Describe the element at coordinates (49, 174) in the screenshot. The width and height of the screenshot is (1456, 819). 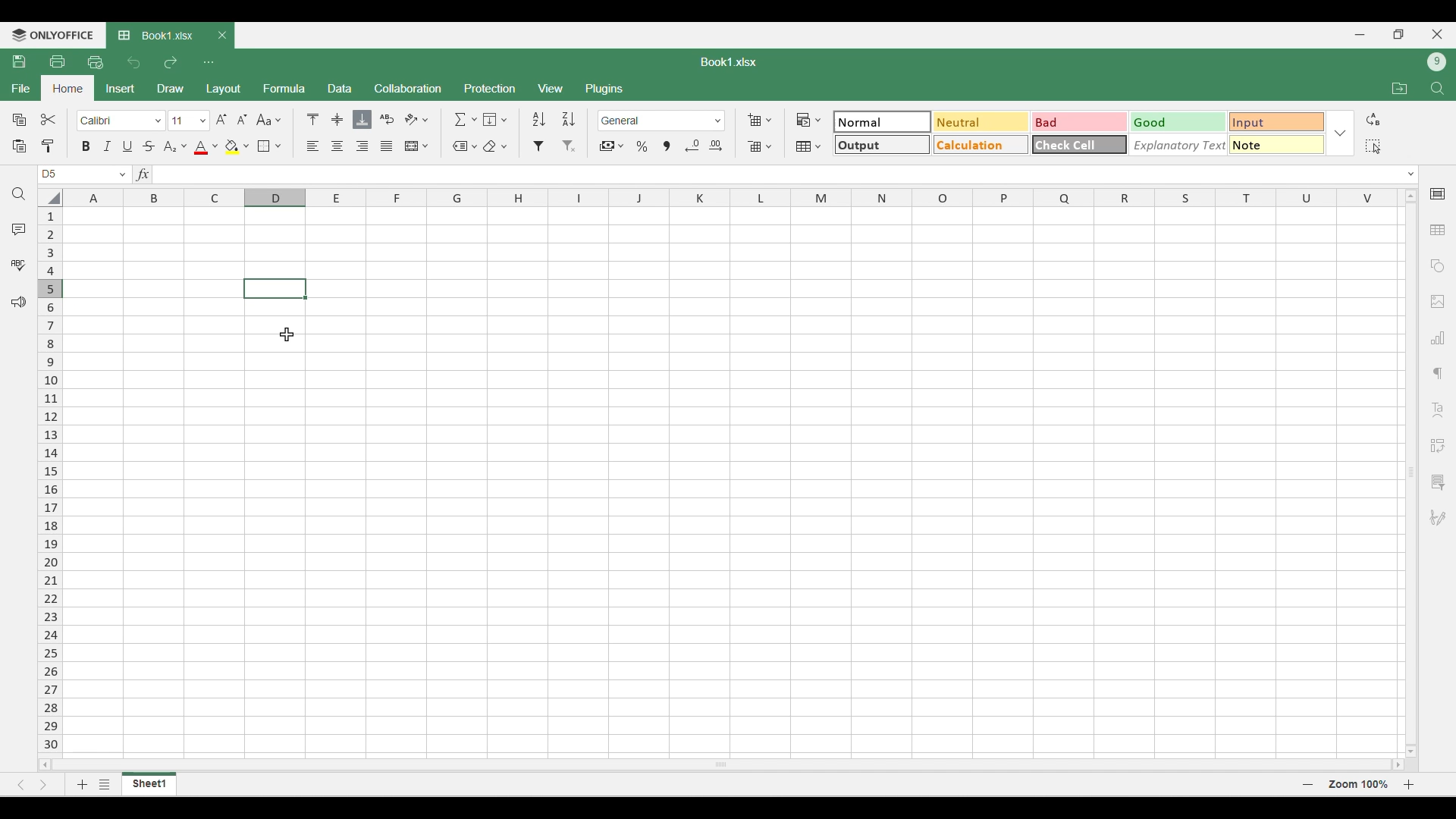
I see `Selected cell` at that location.